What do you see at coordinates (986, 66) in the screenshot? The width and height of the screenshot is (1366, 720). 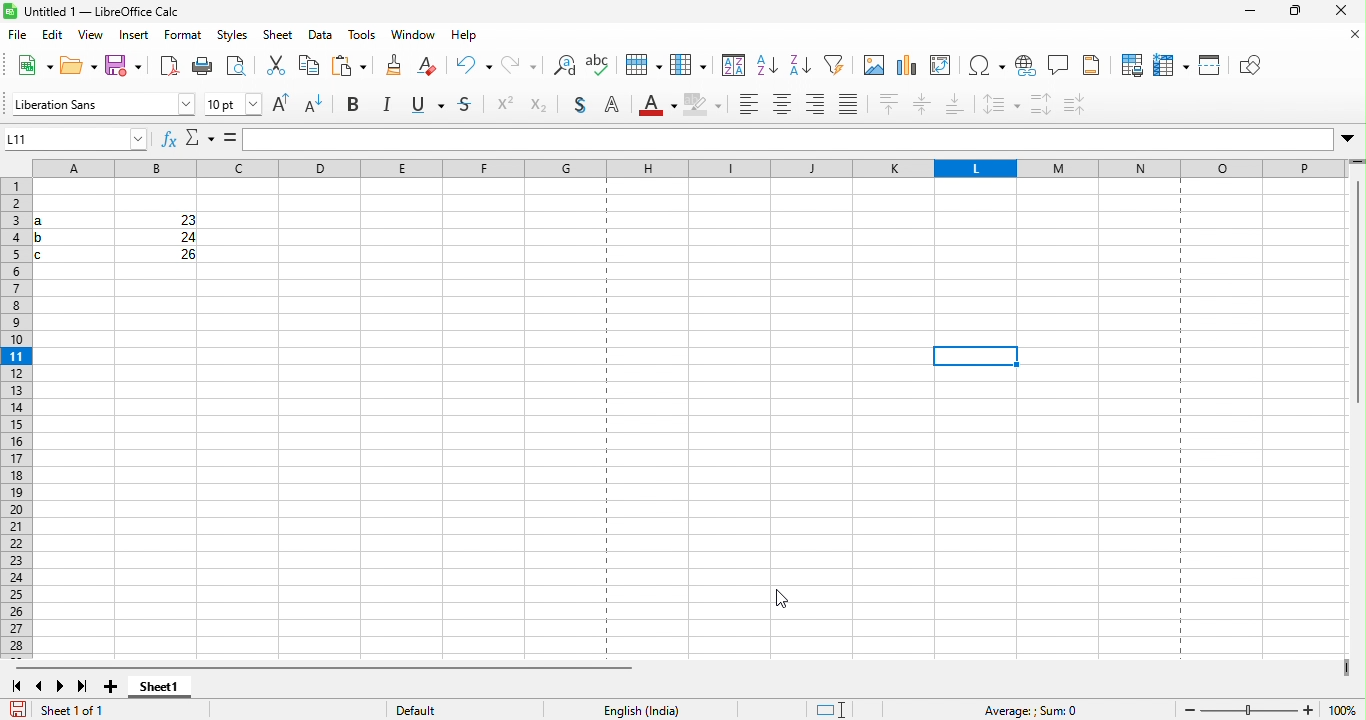 I see `special character` at bounding box center [986, 66].